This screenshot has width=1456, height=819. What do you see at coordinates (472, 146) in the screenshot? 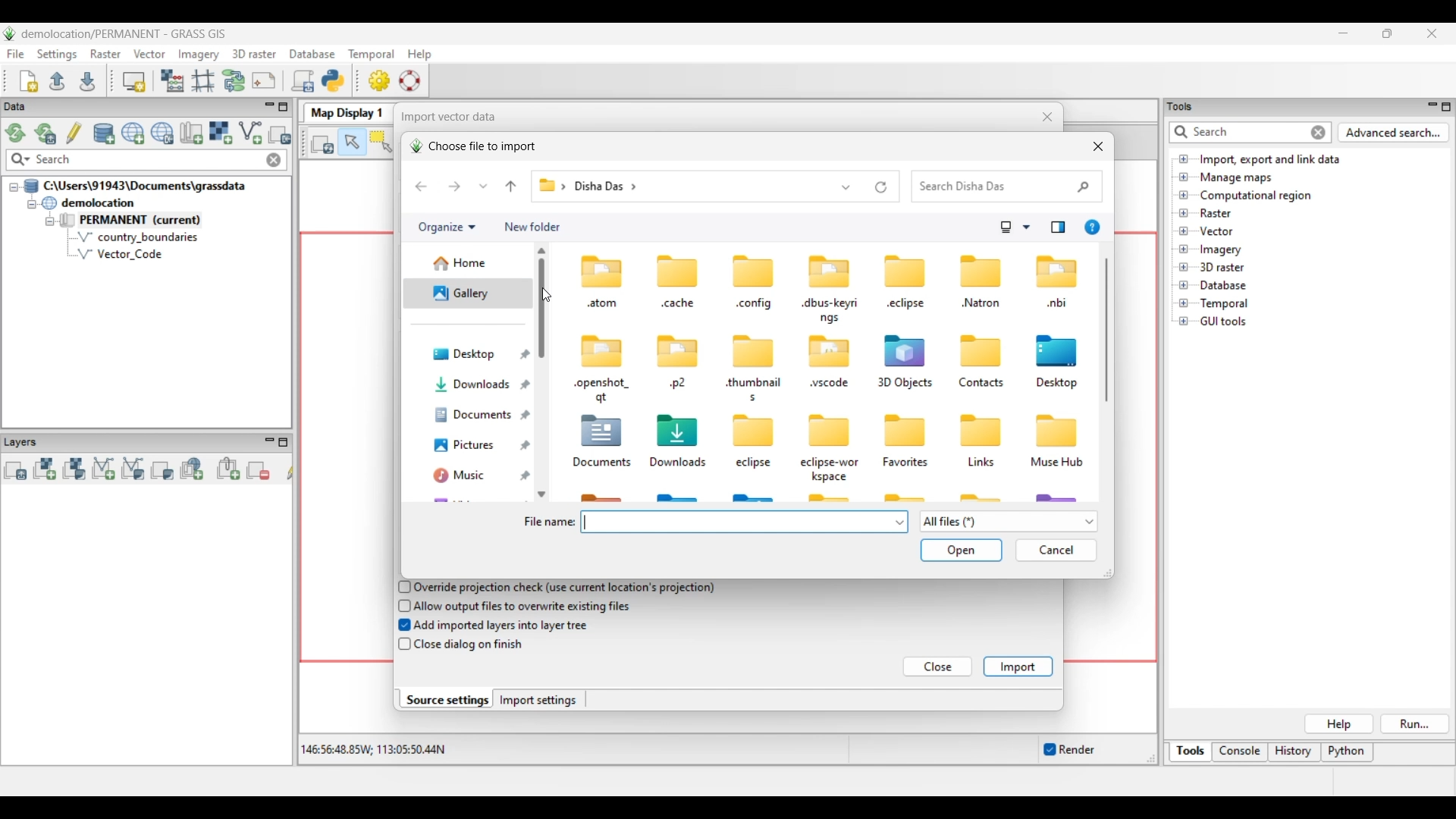
I see `Choose file to import` at bounding box center [472, 146].